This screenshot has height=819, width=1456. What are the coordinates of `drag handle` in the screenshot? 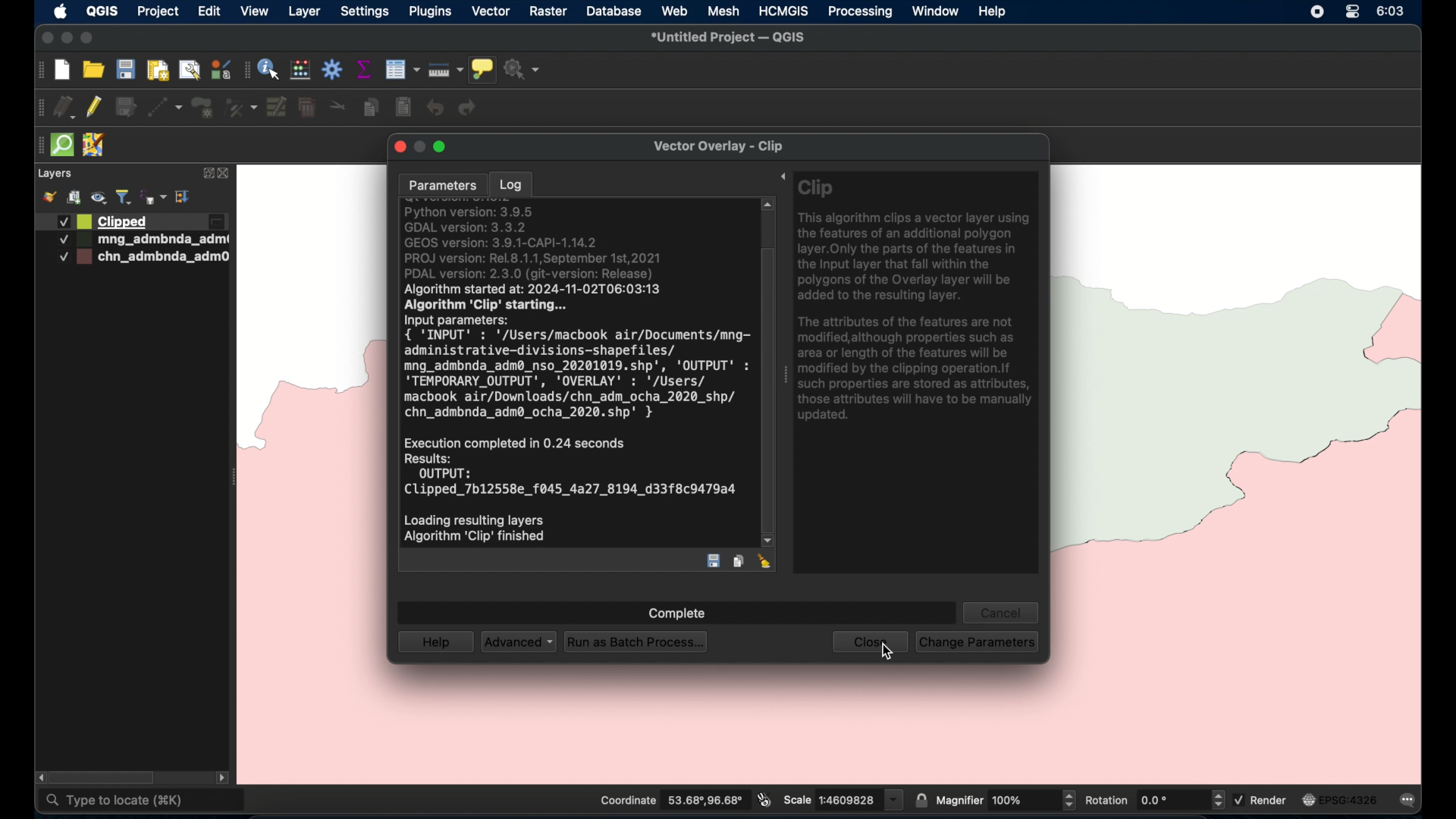 It's located at (40, 146).